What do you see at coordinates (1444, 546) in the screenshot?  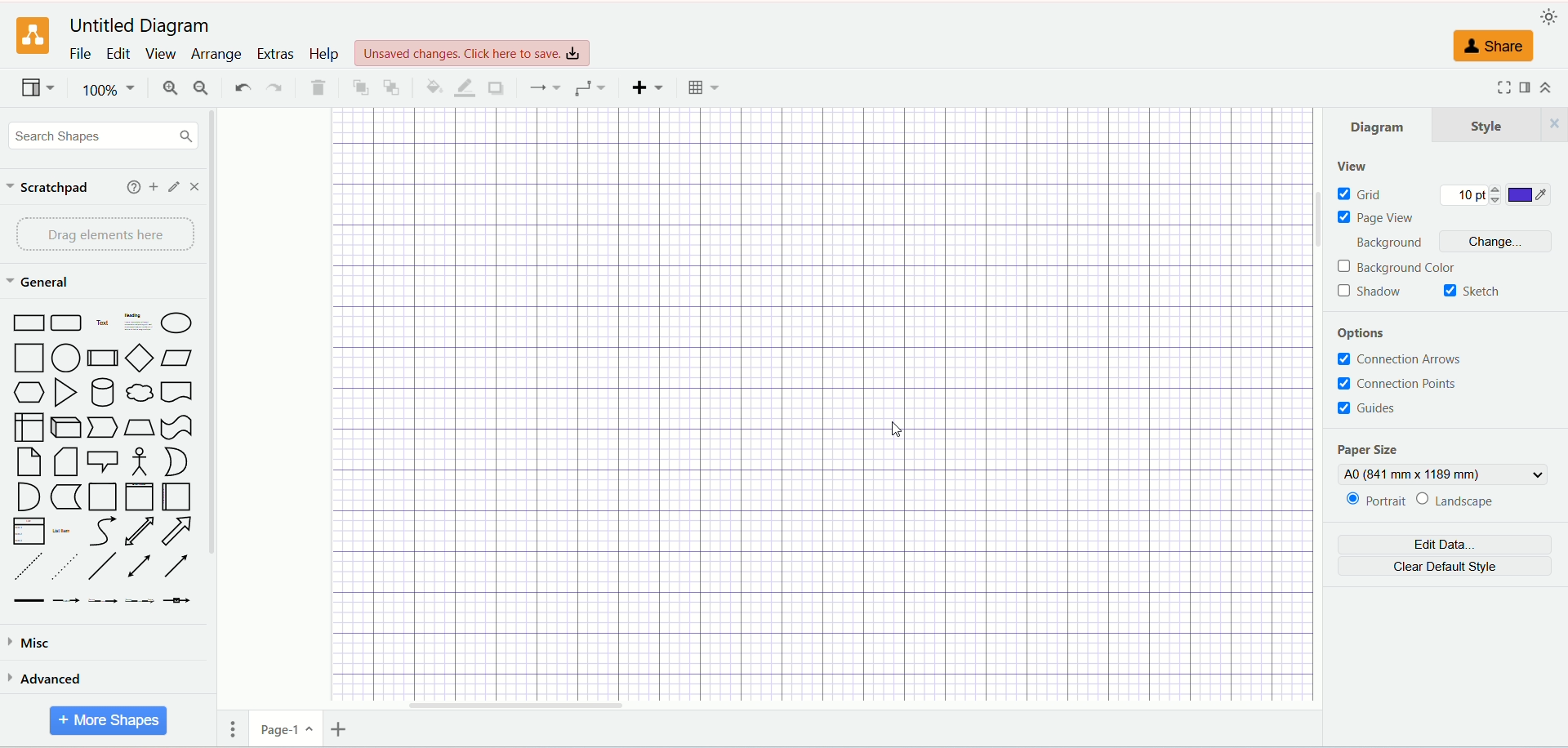 I see `edit data` at bounding box center [1444, 546].